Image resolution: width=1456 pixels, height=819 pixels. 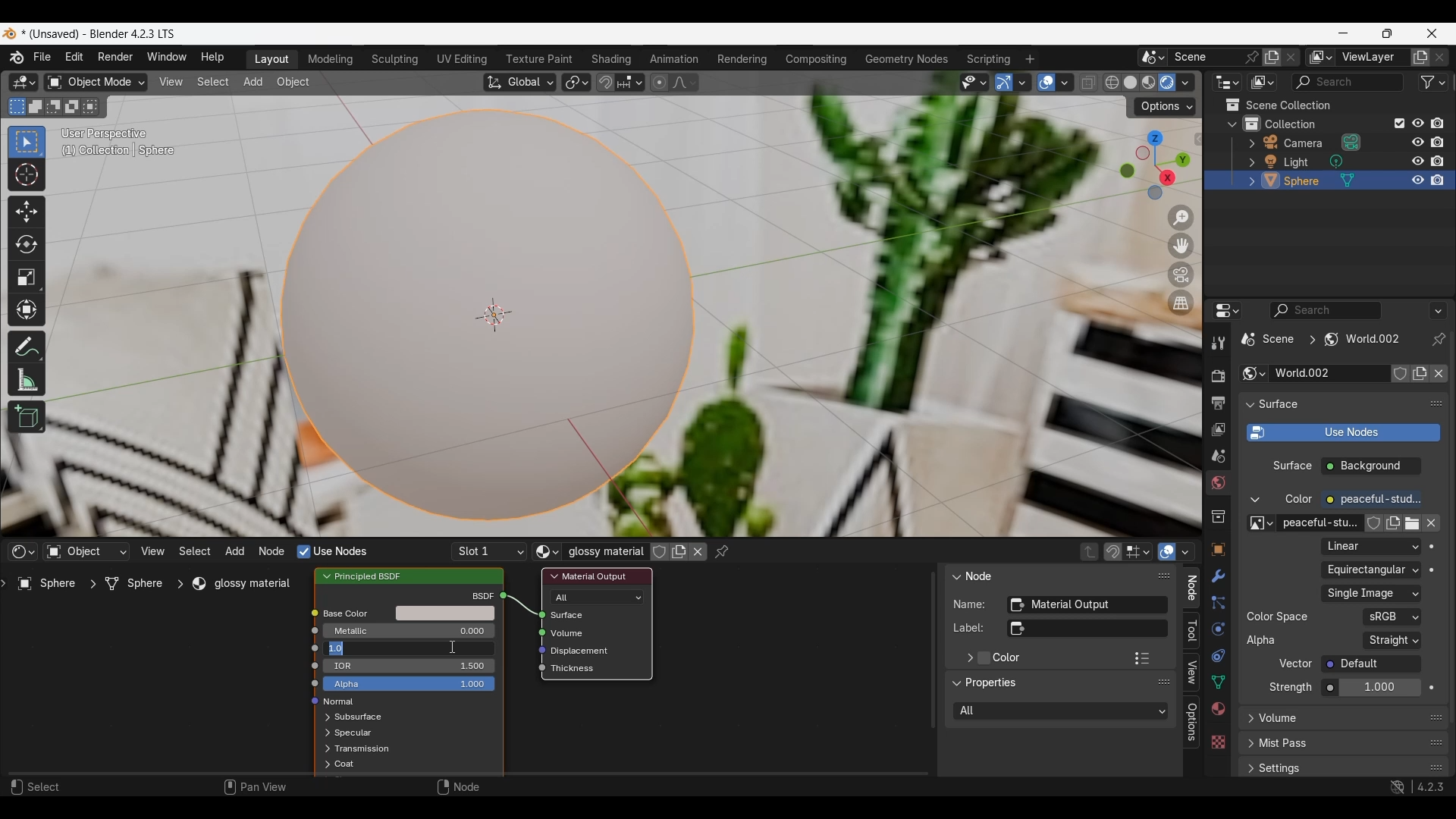 I want to click on View layer name, so click(x=1372, y=58).